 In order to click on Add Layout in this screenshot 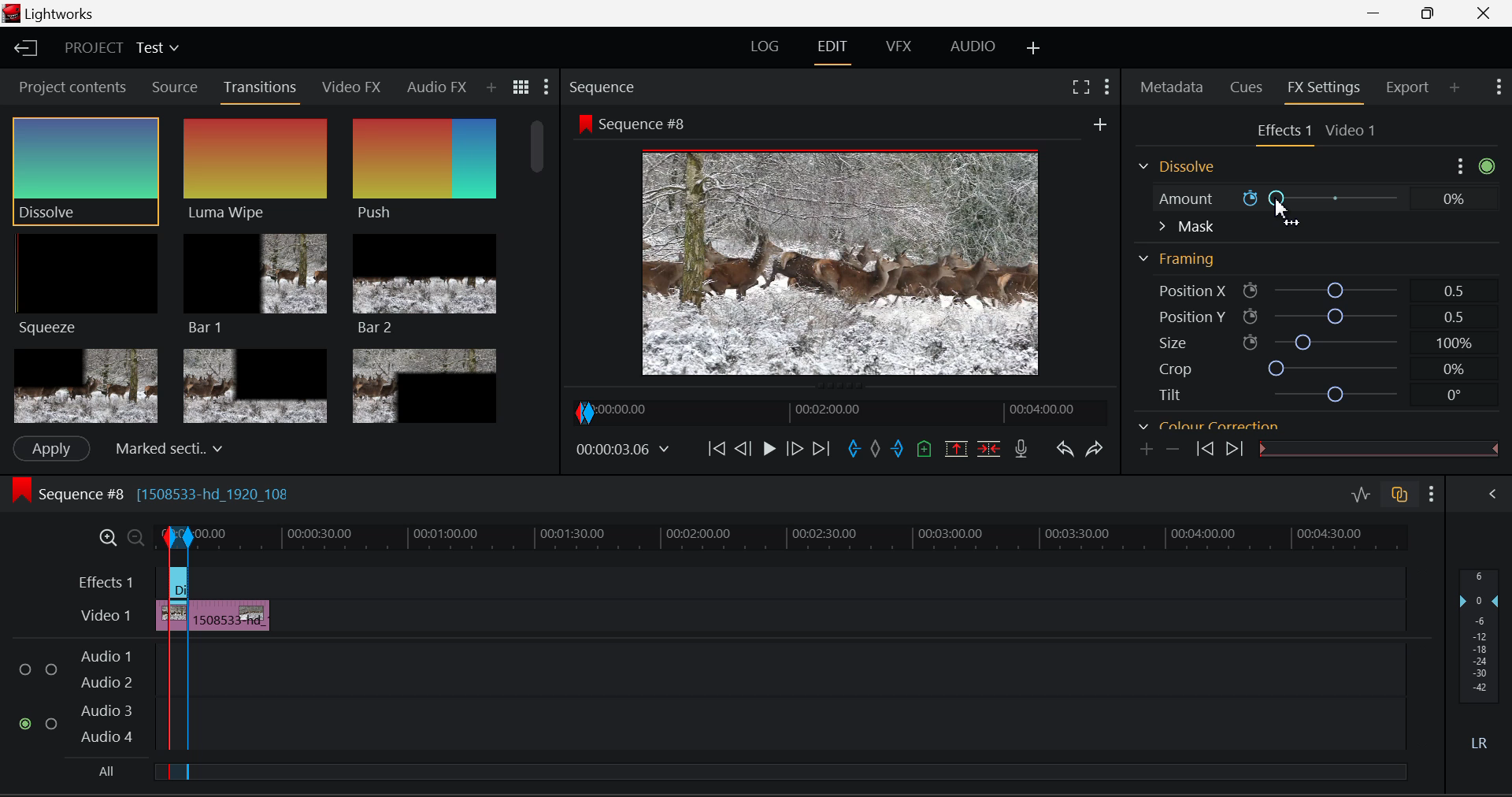, I will do `click(1034, 50)`.